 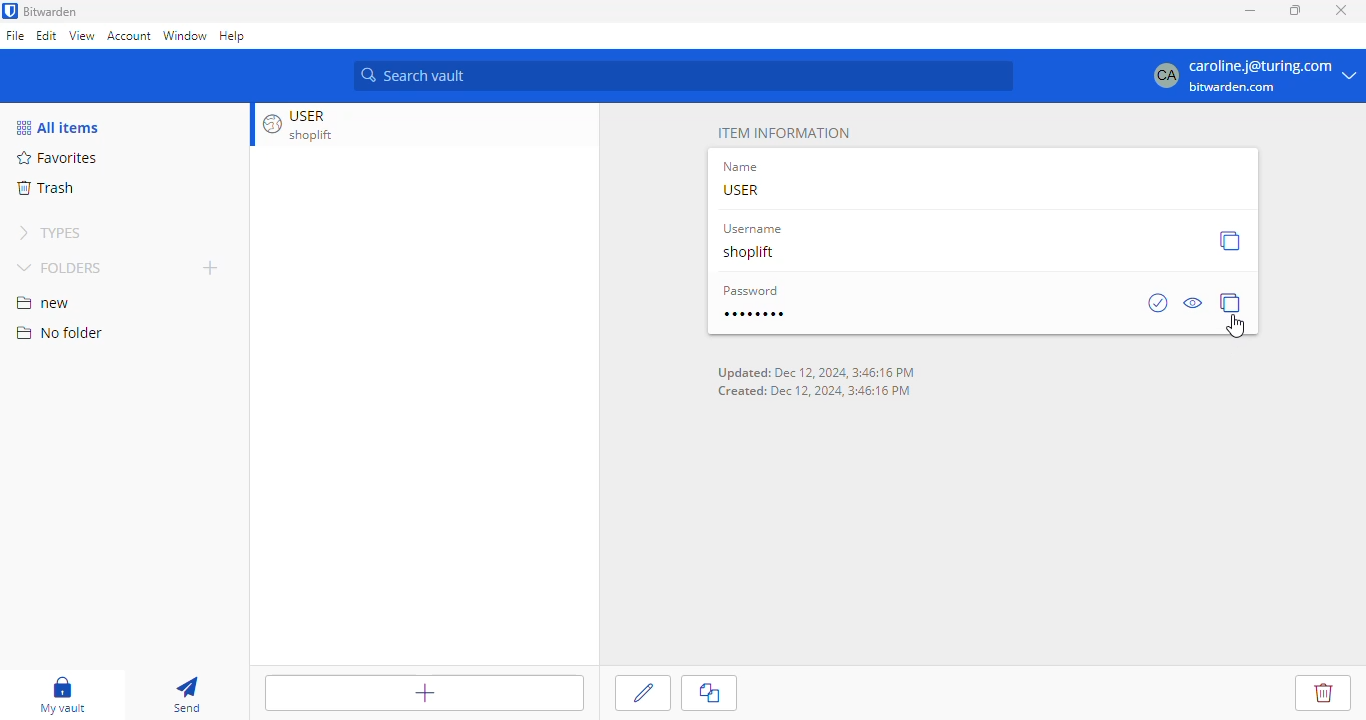 I want to click on toggle visibility, so click(x=1194, y=303).